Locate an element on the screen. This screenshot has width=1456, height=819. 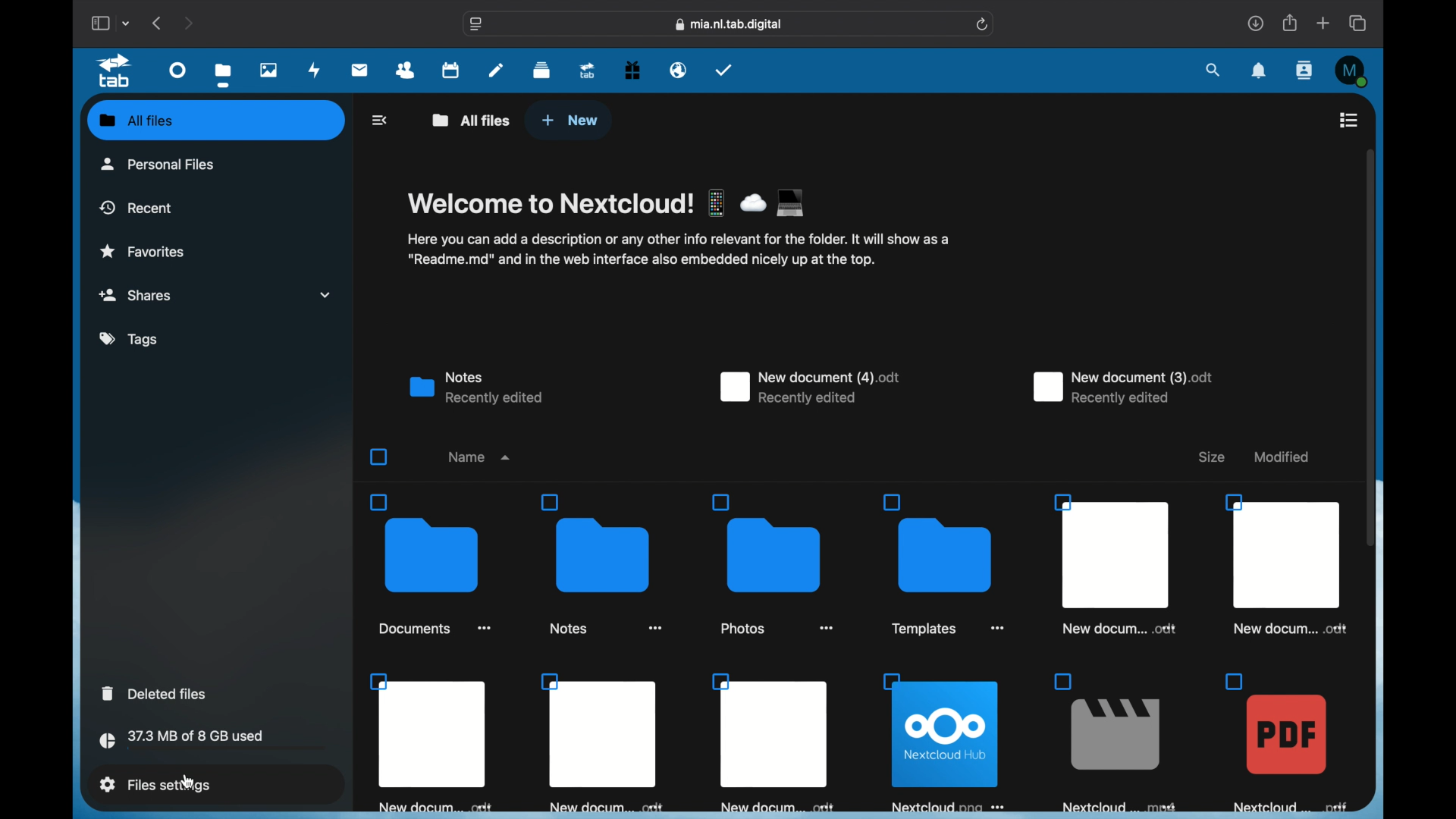
menu is located at coordinates (1350, 120).